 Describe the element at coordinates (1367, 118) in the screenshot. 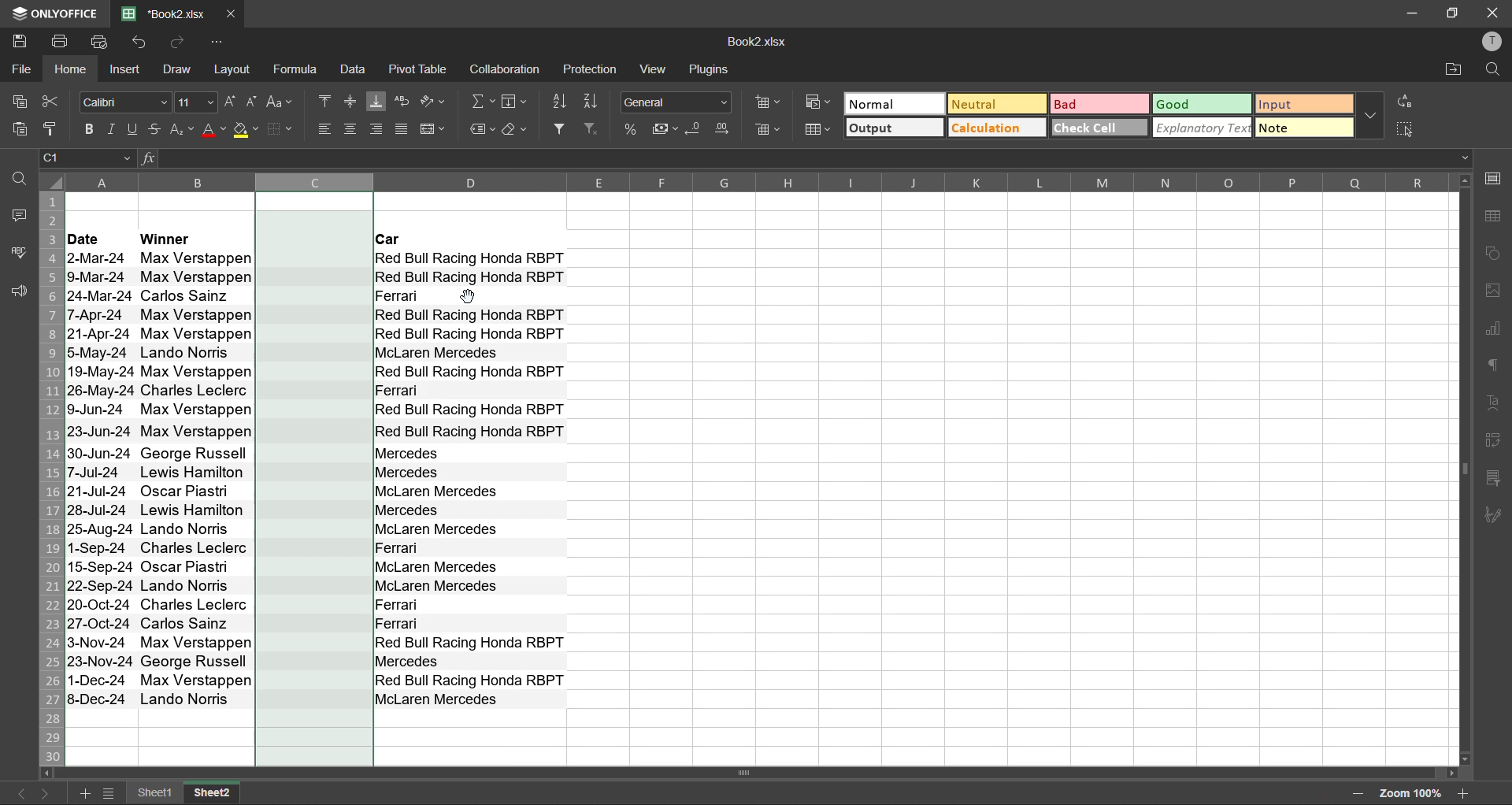

I see `more options` at that location.